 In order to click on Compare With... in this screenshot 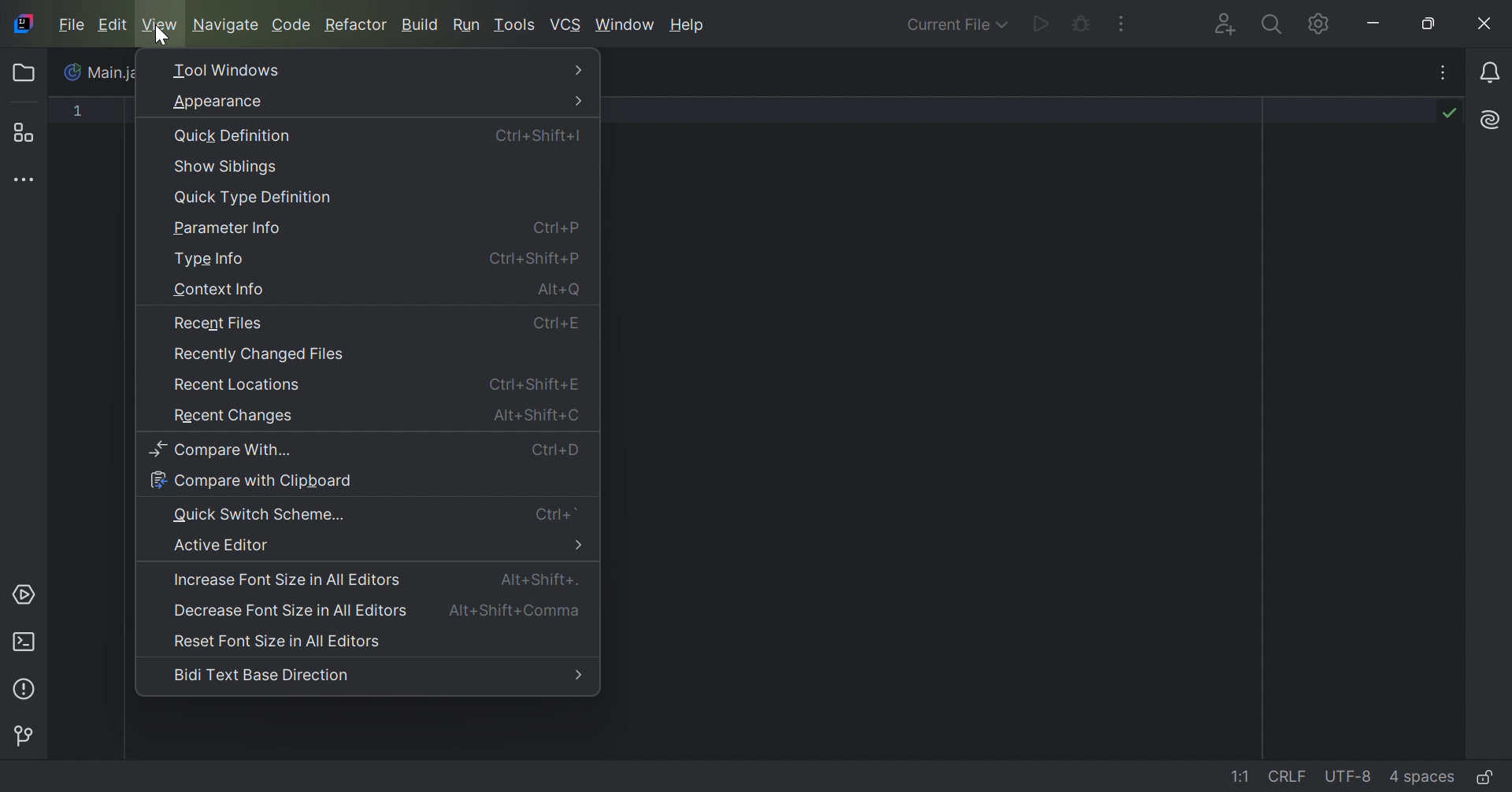, I will do `click(228, 450)`.